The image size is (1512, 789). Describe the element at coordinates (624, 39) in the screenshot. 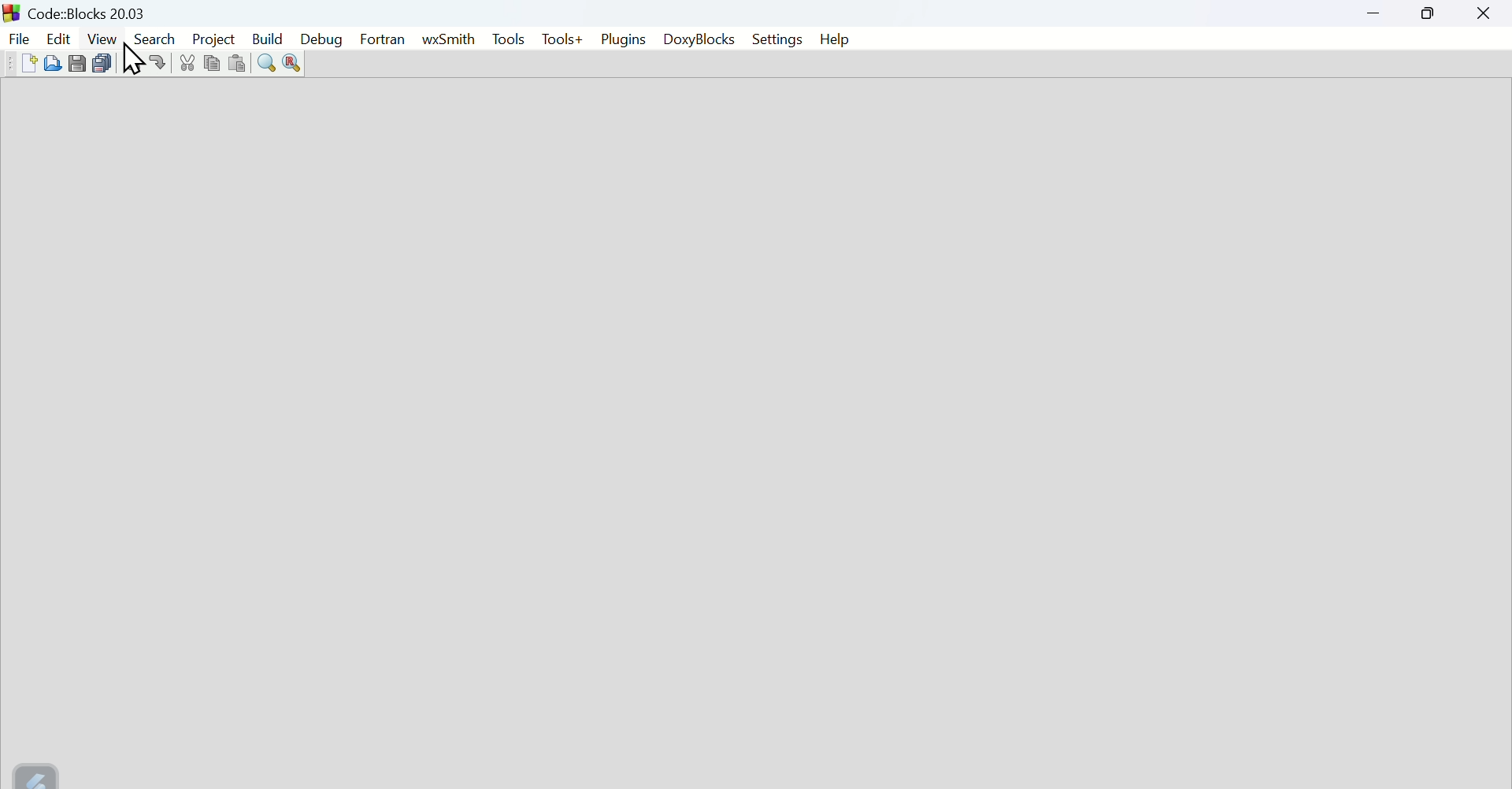

I see `Plugins` at that location.